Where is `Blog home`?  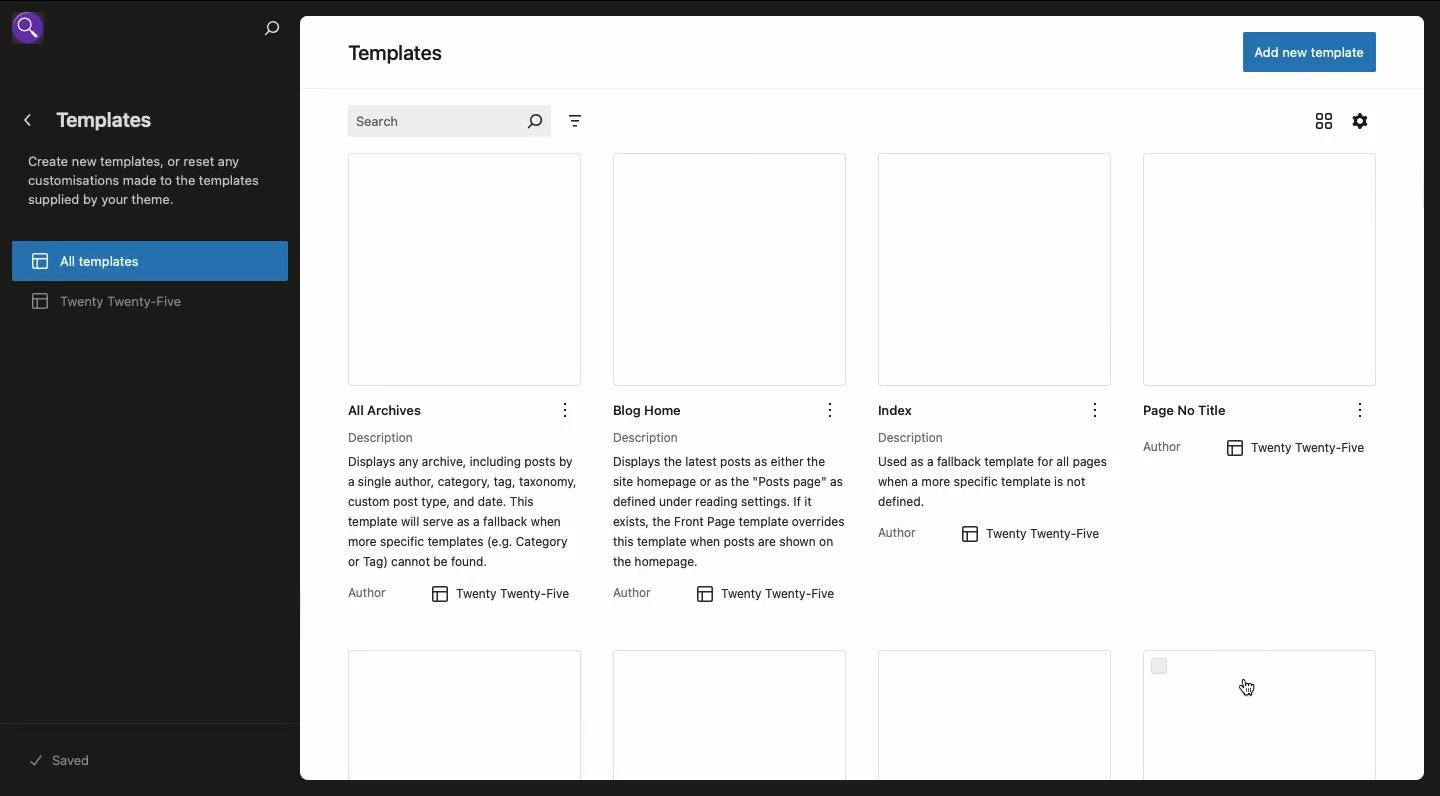 Blog home is located at coordinates (688, 288).